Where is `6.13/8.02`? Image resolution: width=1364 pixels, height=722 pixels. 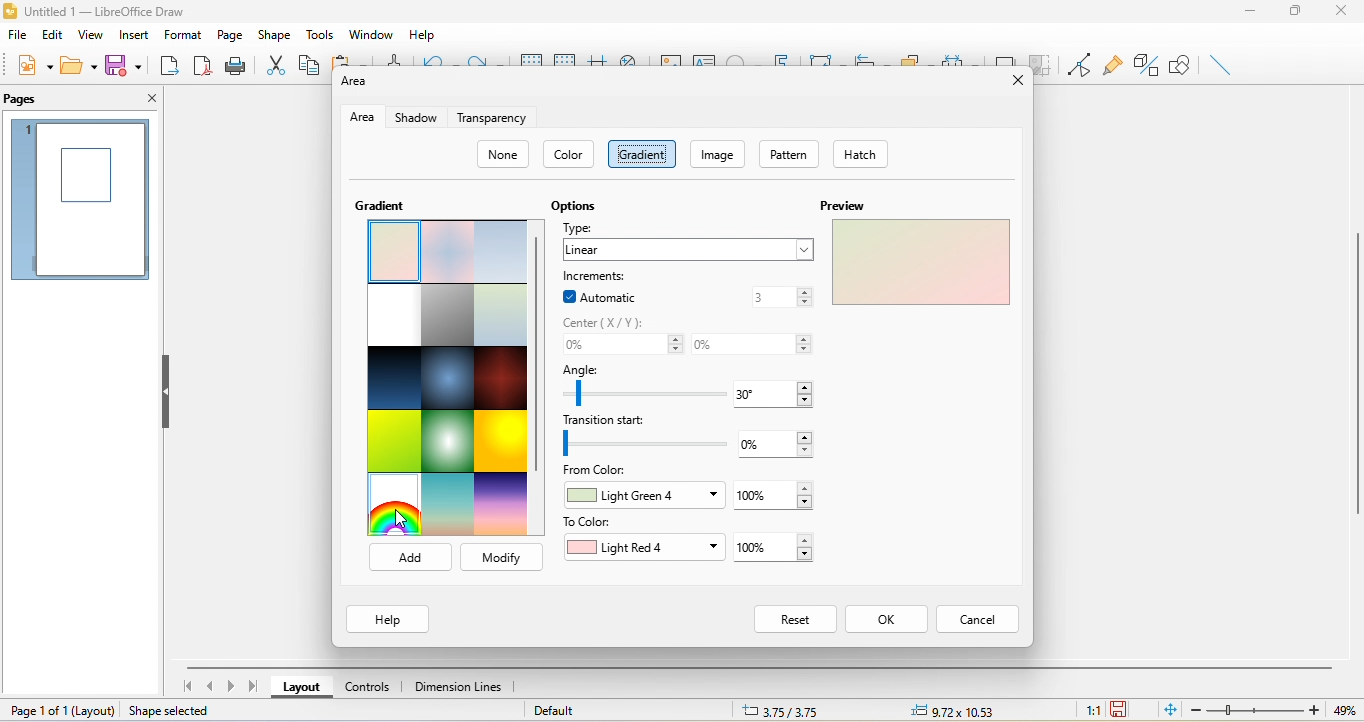
6.13/8.02 is located at coordinates (791, 710).